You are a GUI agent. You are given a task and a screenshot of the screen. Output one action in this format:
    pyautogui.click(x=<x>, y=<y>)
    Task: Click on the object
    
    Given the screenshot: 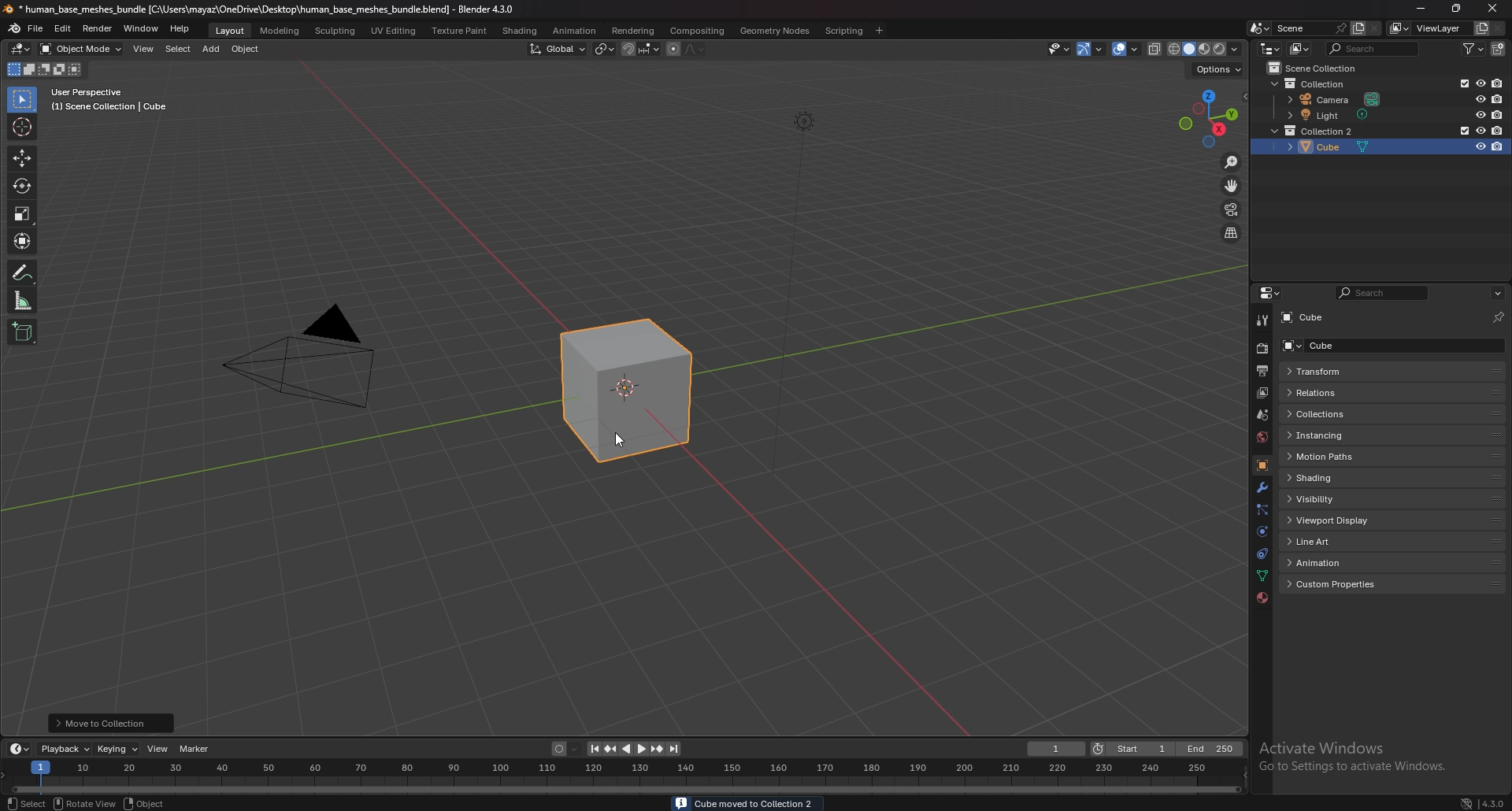 What is the action you would take?
    pyautogui.click(x=27, y=802)
    